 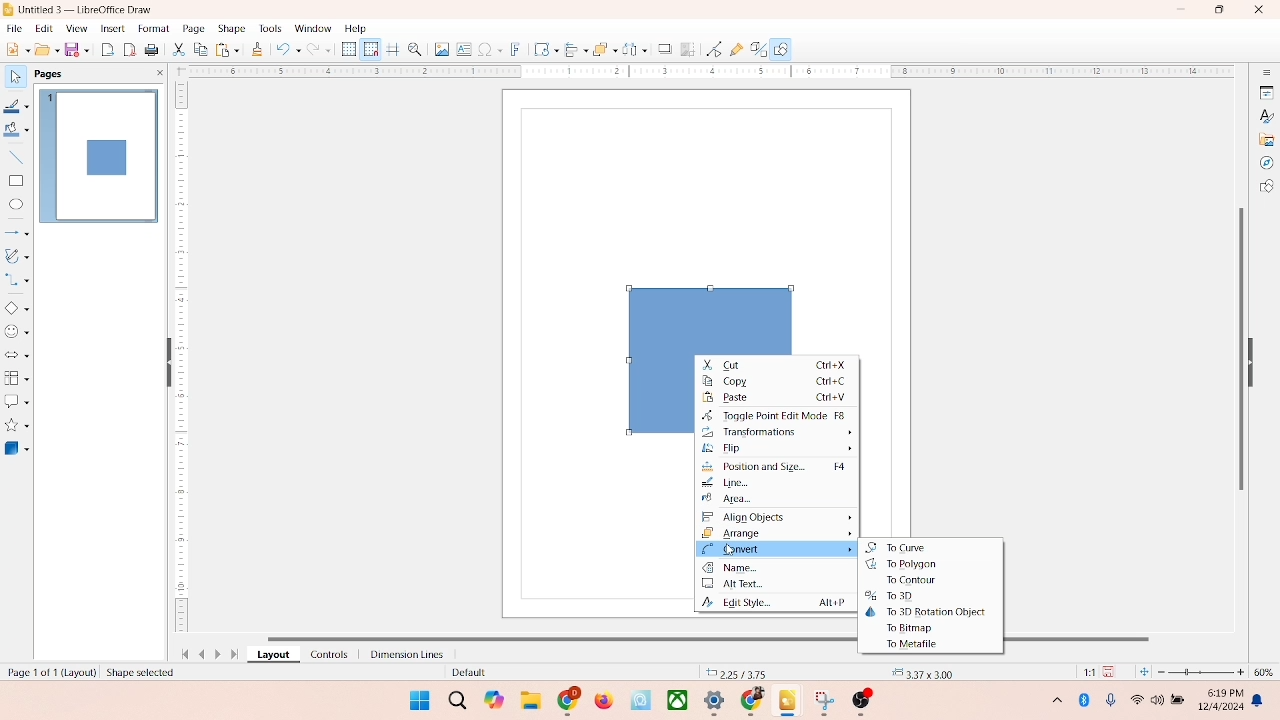 I want to click on print, so click(x=226, y=49).